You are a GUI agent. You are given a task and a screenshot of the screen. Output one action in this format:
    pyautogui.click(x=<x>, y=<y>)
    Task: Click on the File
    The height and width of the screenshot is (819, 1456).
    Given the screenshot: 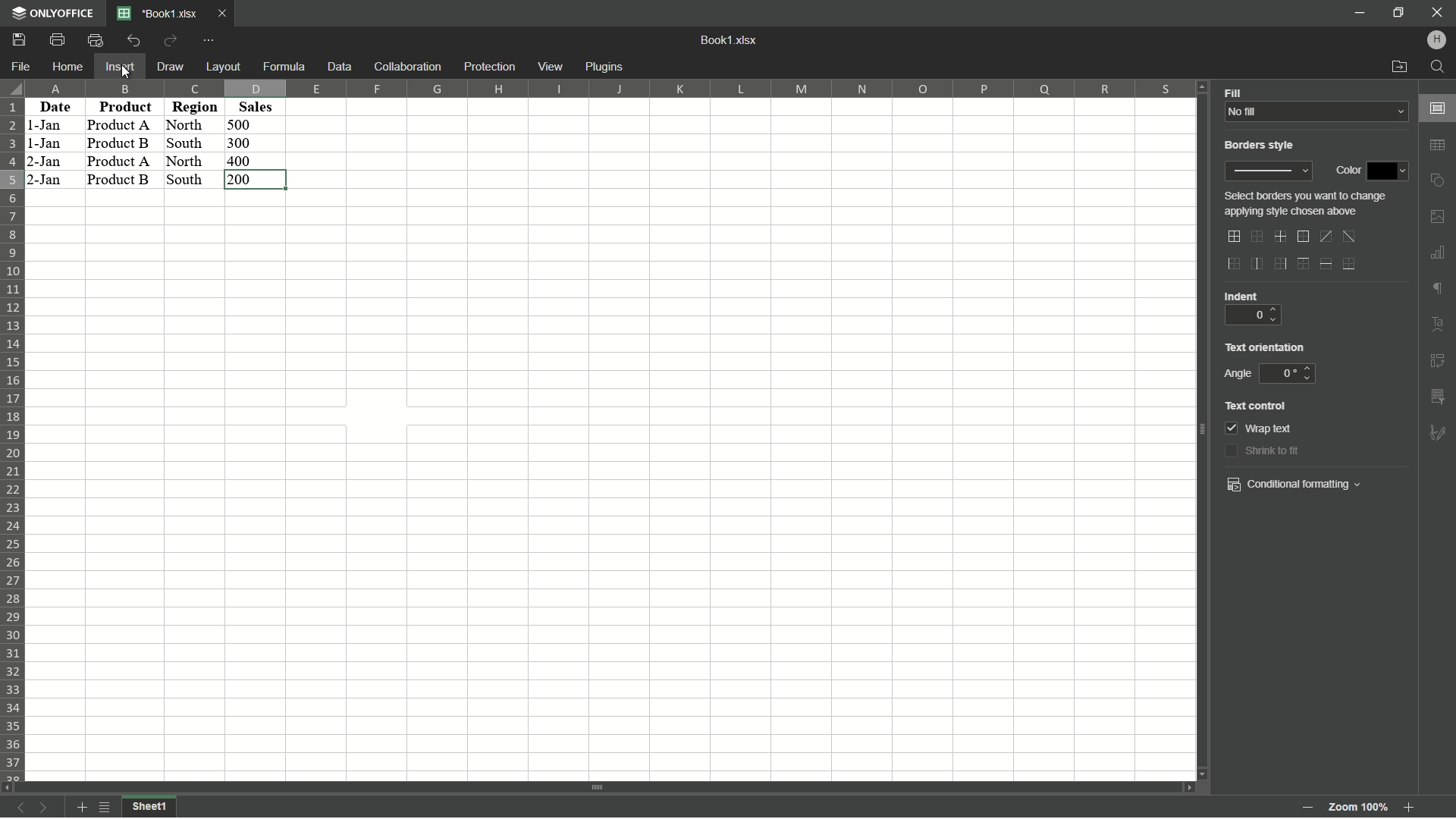 What is the action you would take?
    pyautogui.click(x=21, y=67)
    